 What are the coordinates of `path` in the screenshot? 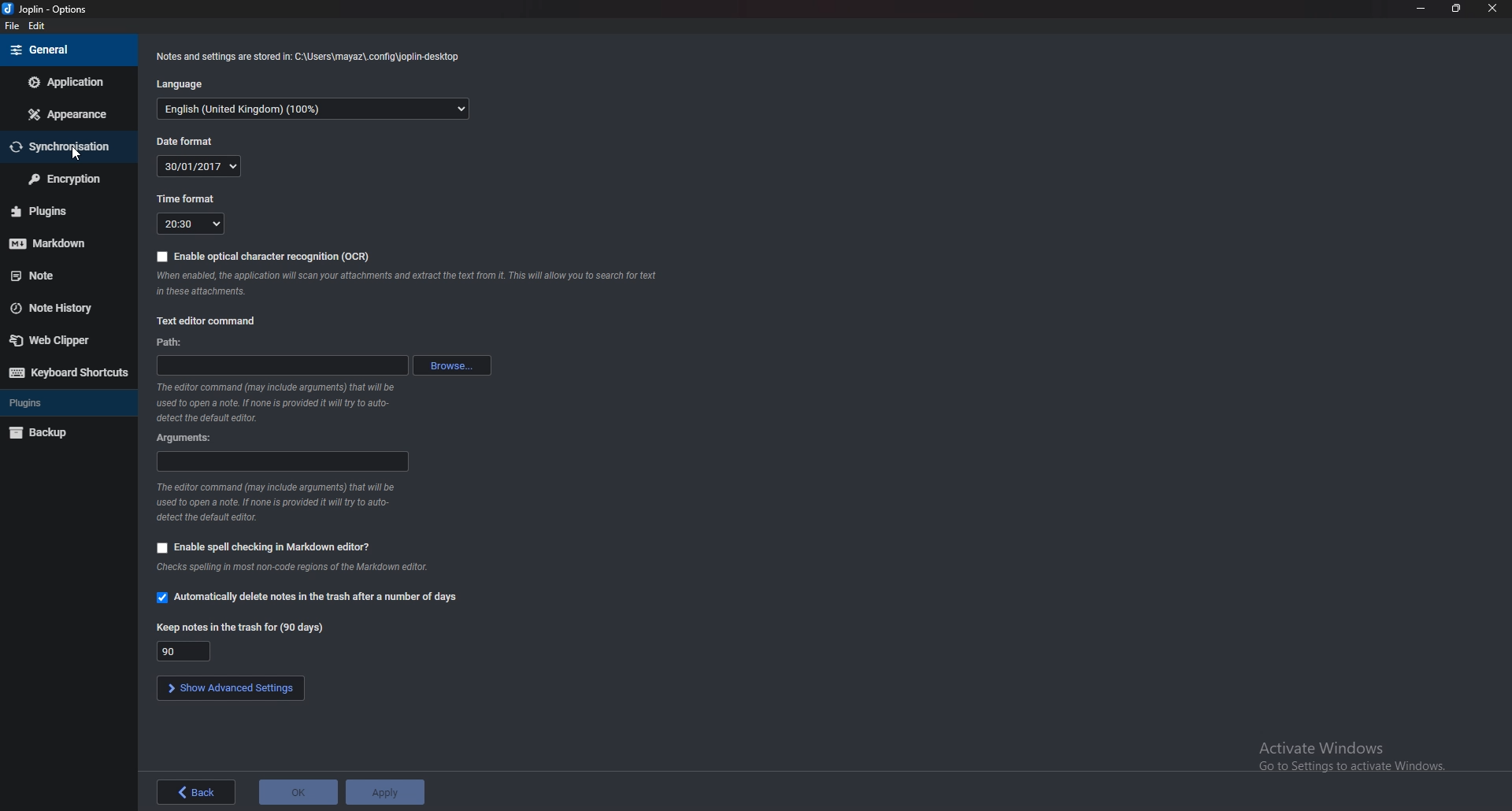 It's located at (281, 366).